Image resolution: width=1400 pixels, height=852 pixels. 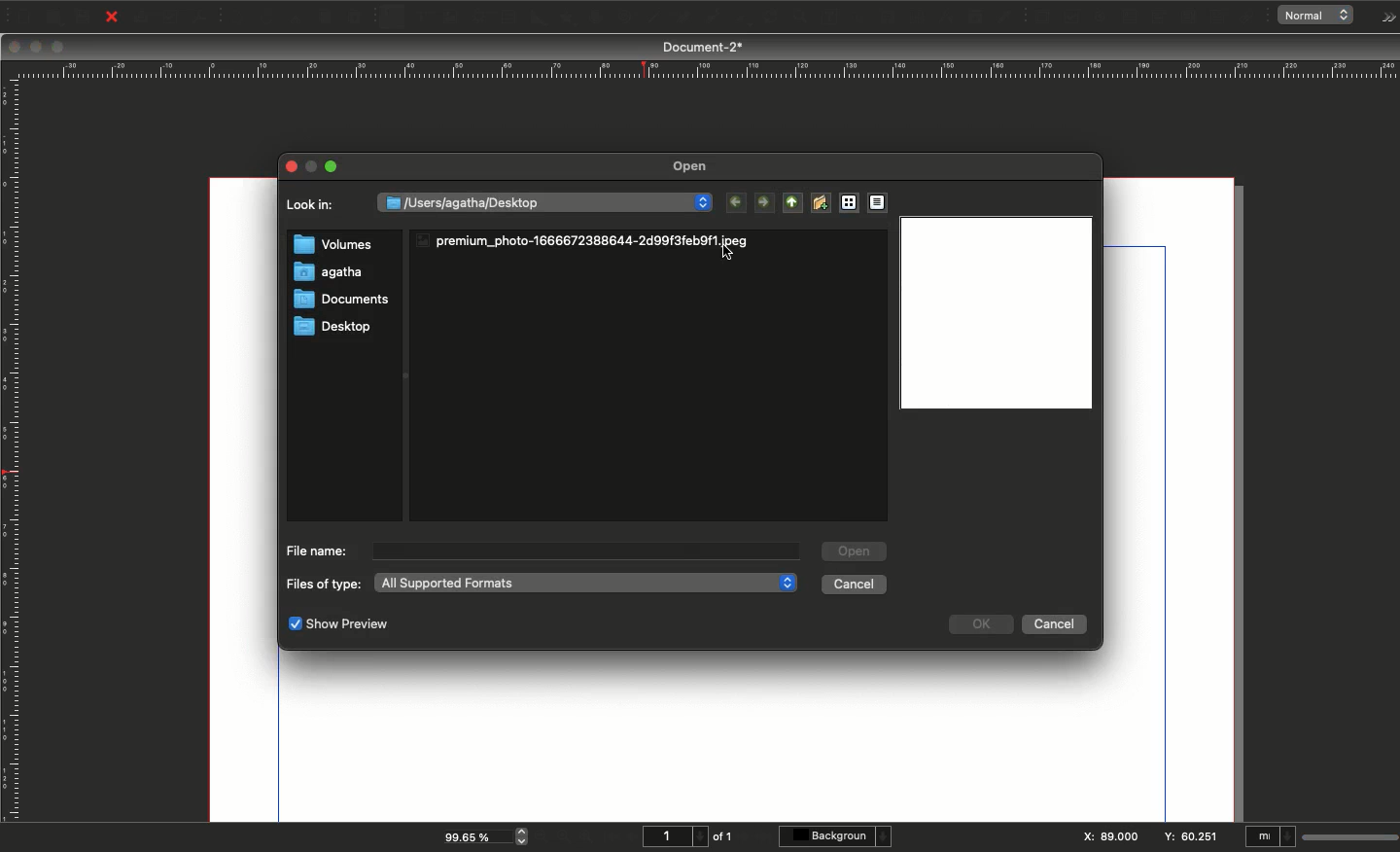 What do you see at coordinates (13, 451) in the screenshot?
I see `Ruler` at bounding box center [13, 451].